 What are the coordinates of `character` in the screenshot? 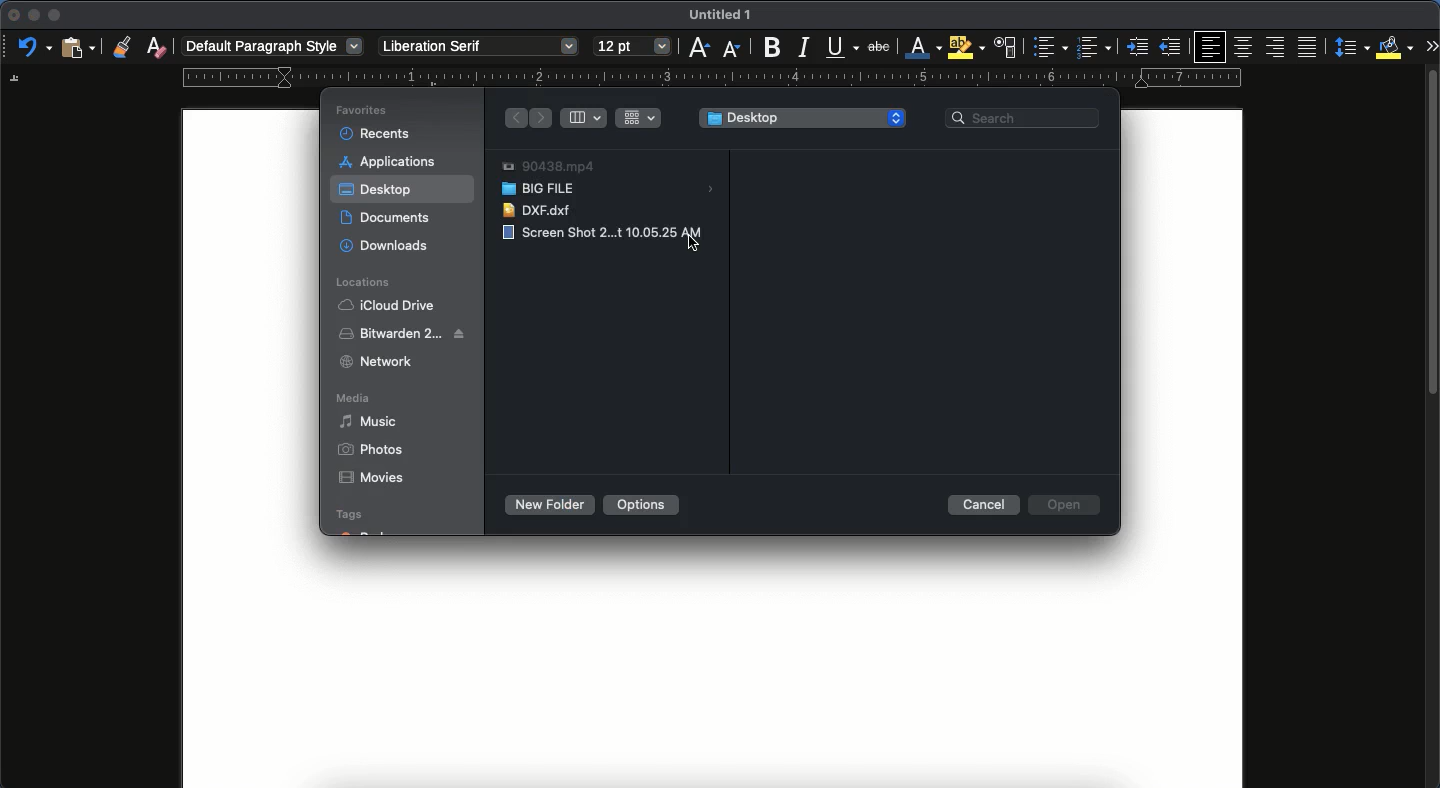 It's located at (1004, 48).